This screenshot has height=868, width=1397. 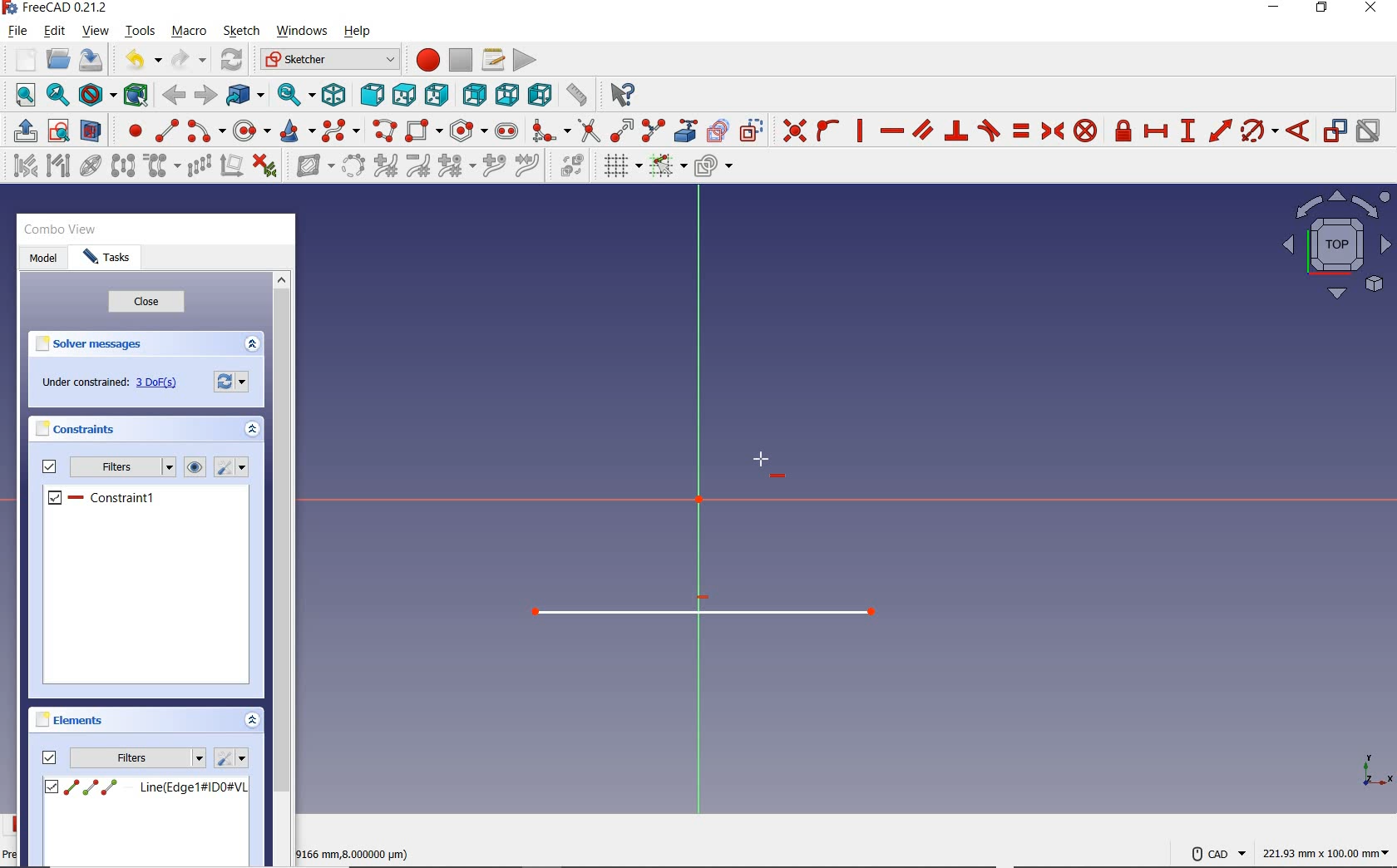 I want to click on SHOW/HIDE INTERNAL GEOMETRY, so click(x=91, y=165).